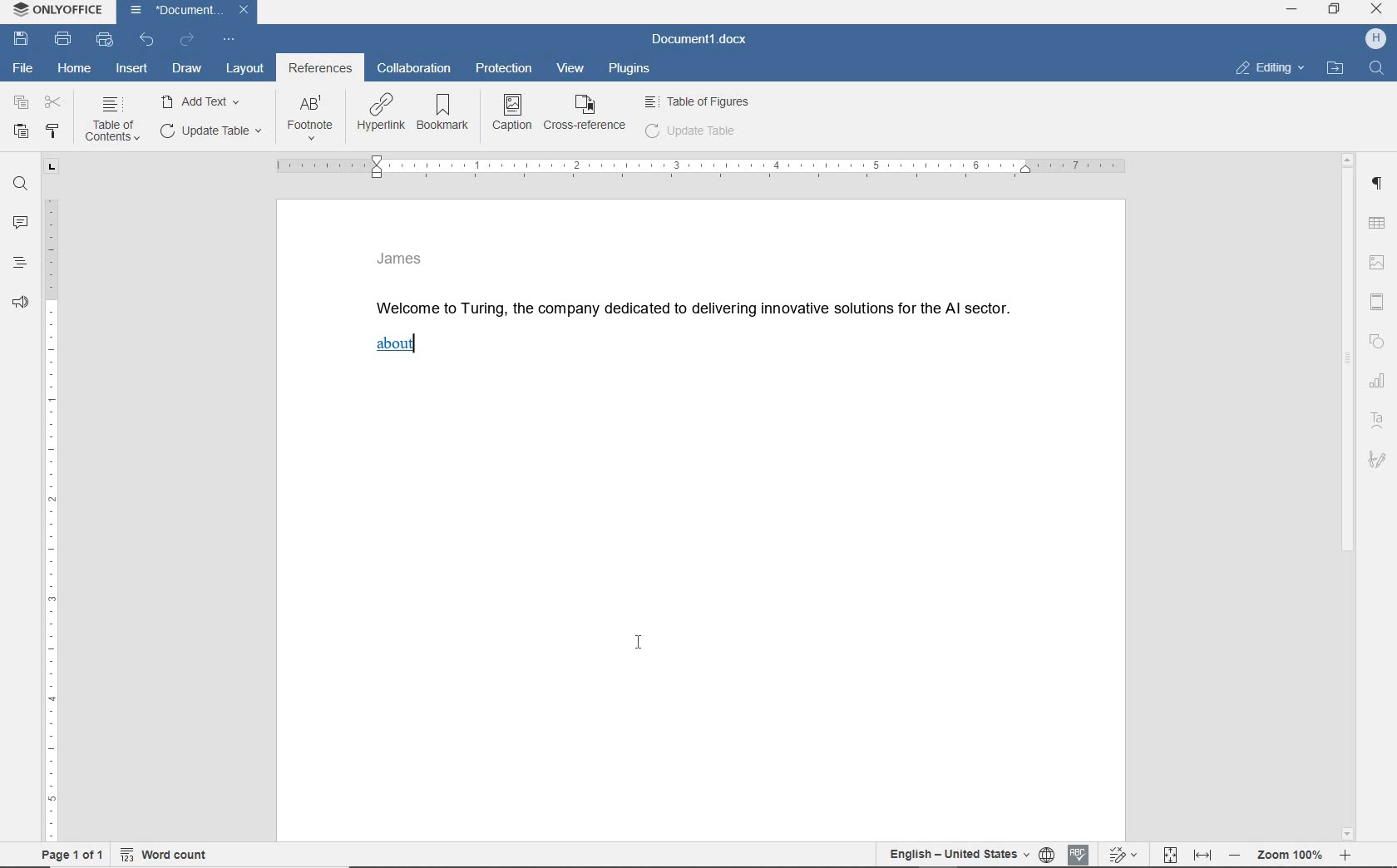  I want to click on undo, so click(147, 41).